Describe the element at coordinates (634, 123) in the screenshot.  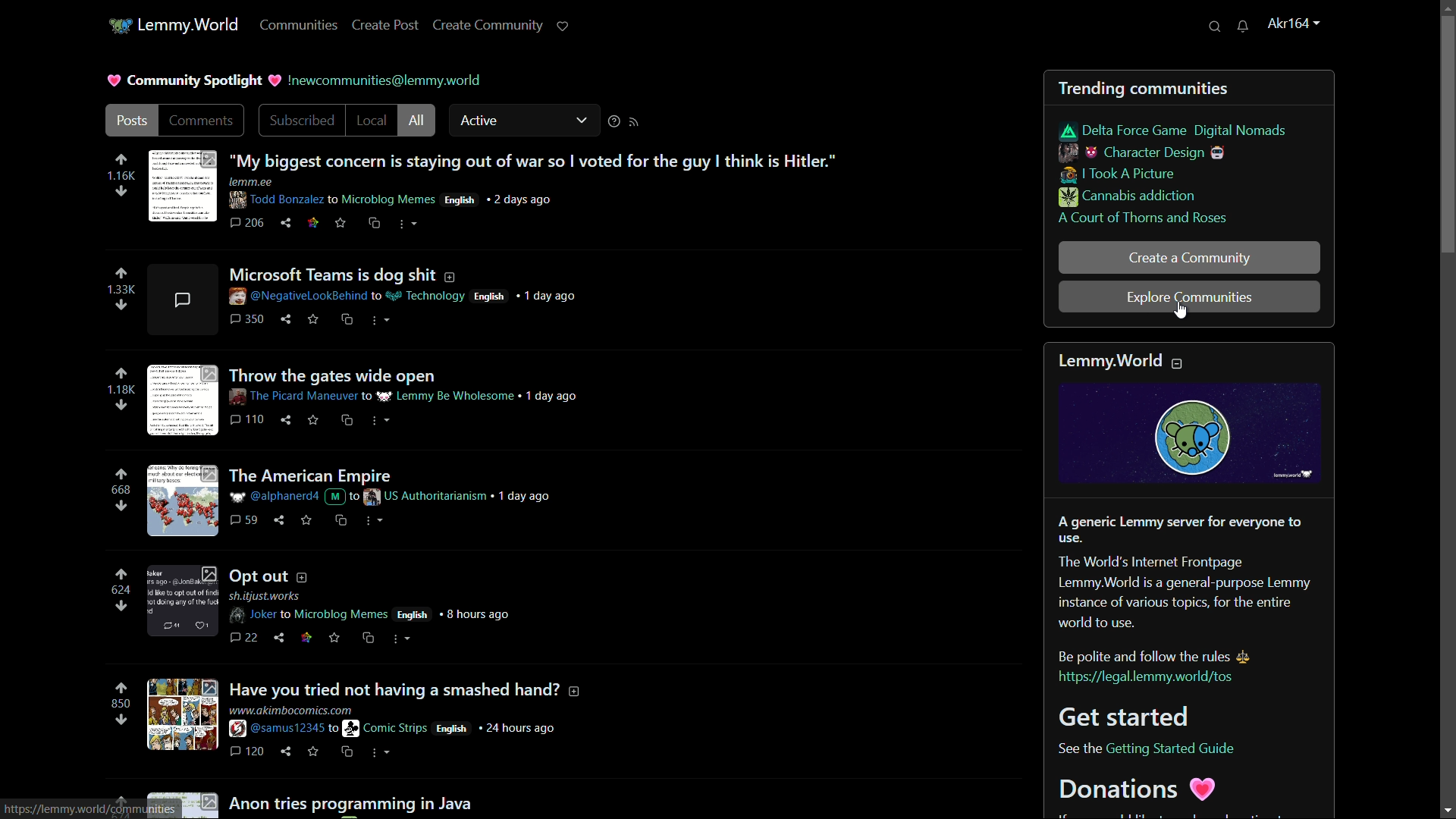
I see `rss` at that location.